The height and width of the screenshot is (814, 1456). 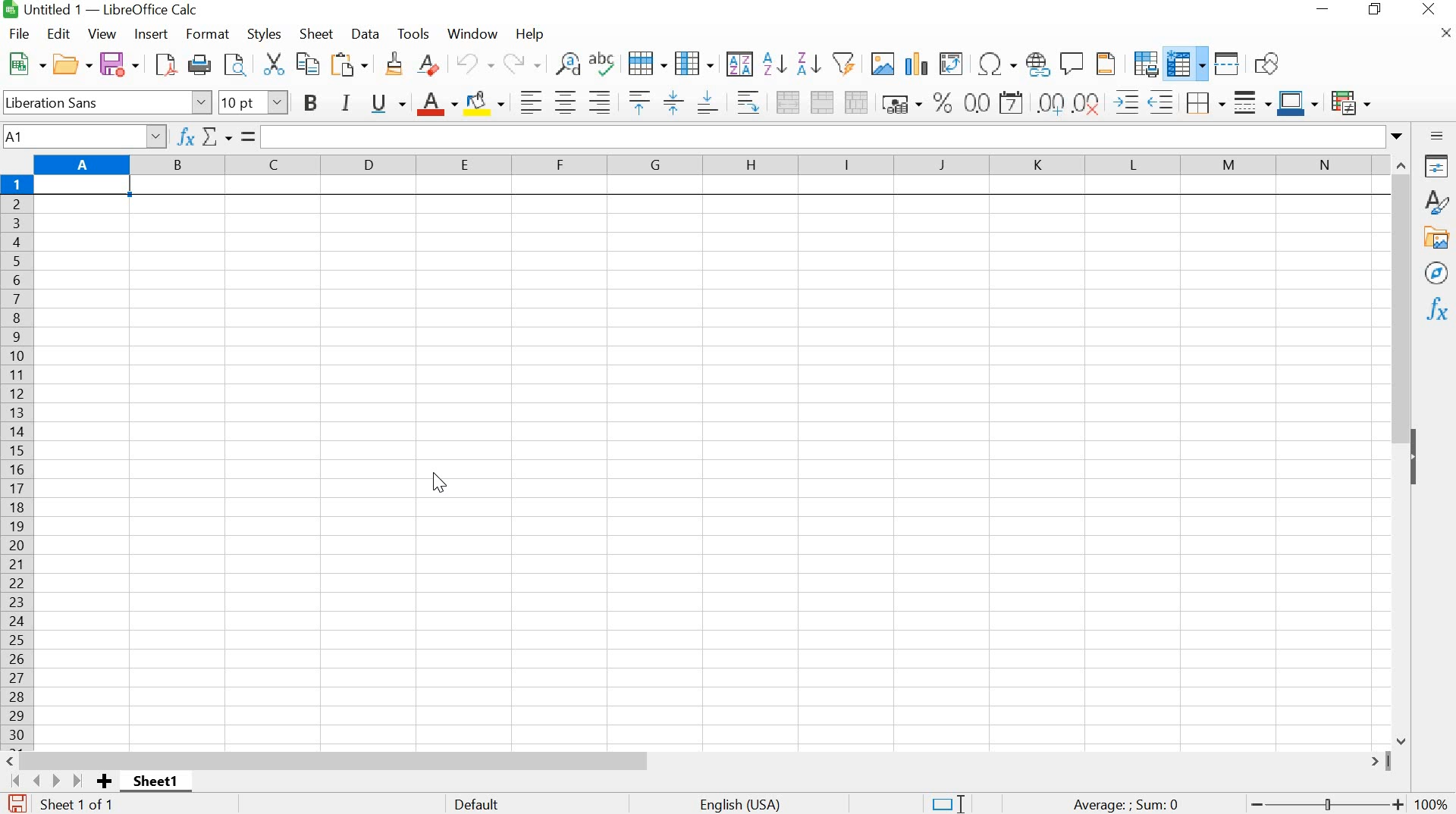 What do you see at coordinates (119, 64) in the screenshot?
I see `SAVE` at bounding box center [119, 64].